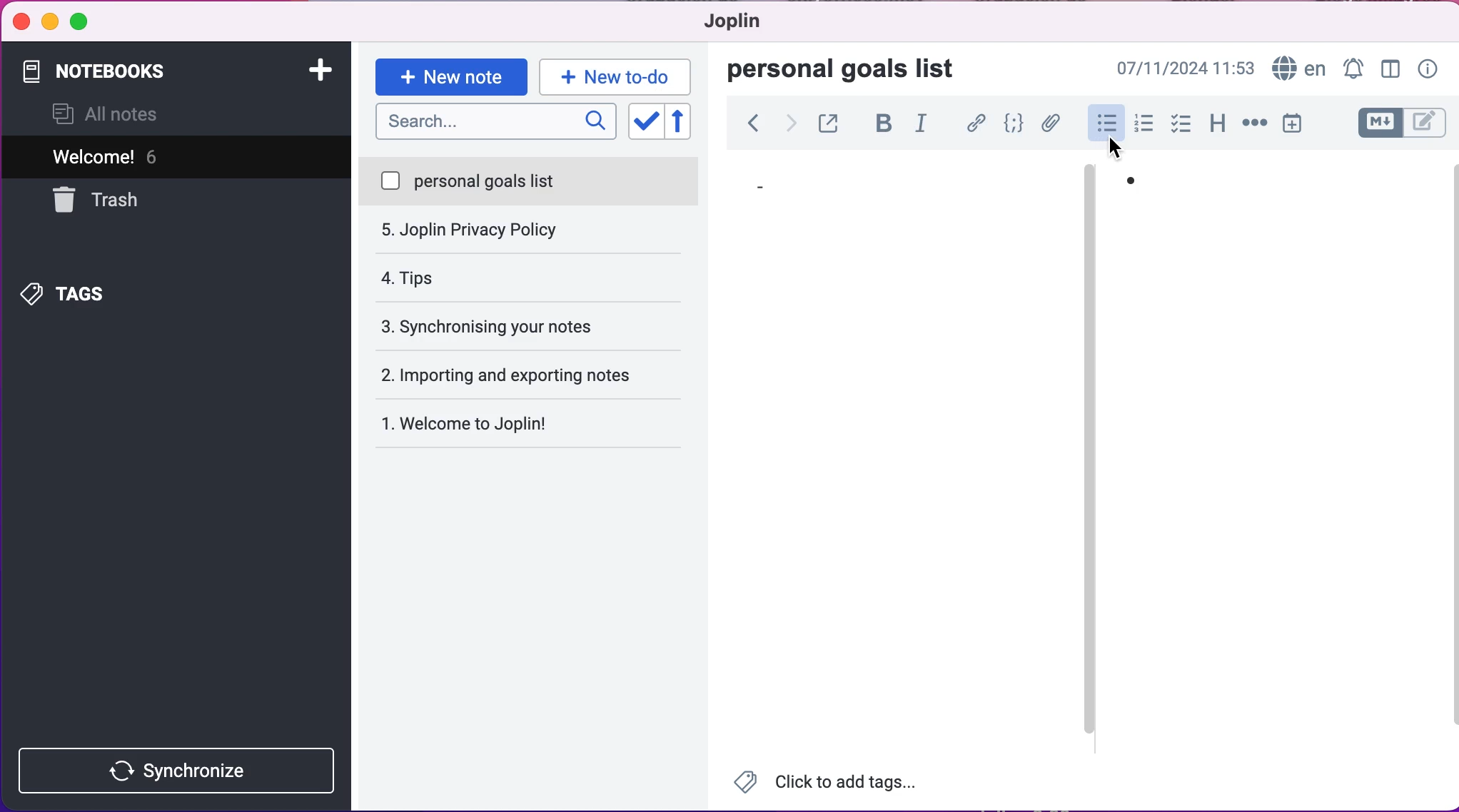 The image size is (1459, 812). What do you see at coordinates (131, 200) in the screenshot?
I see `trash` at bounding box center [131, 200].